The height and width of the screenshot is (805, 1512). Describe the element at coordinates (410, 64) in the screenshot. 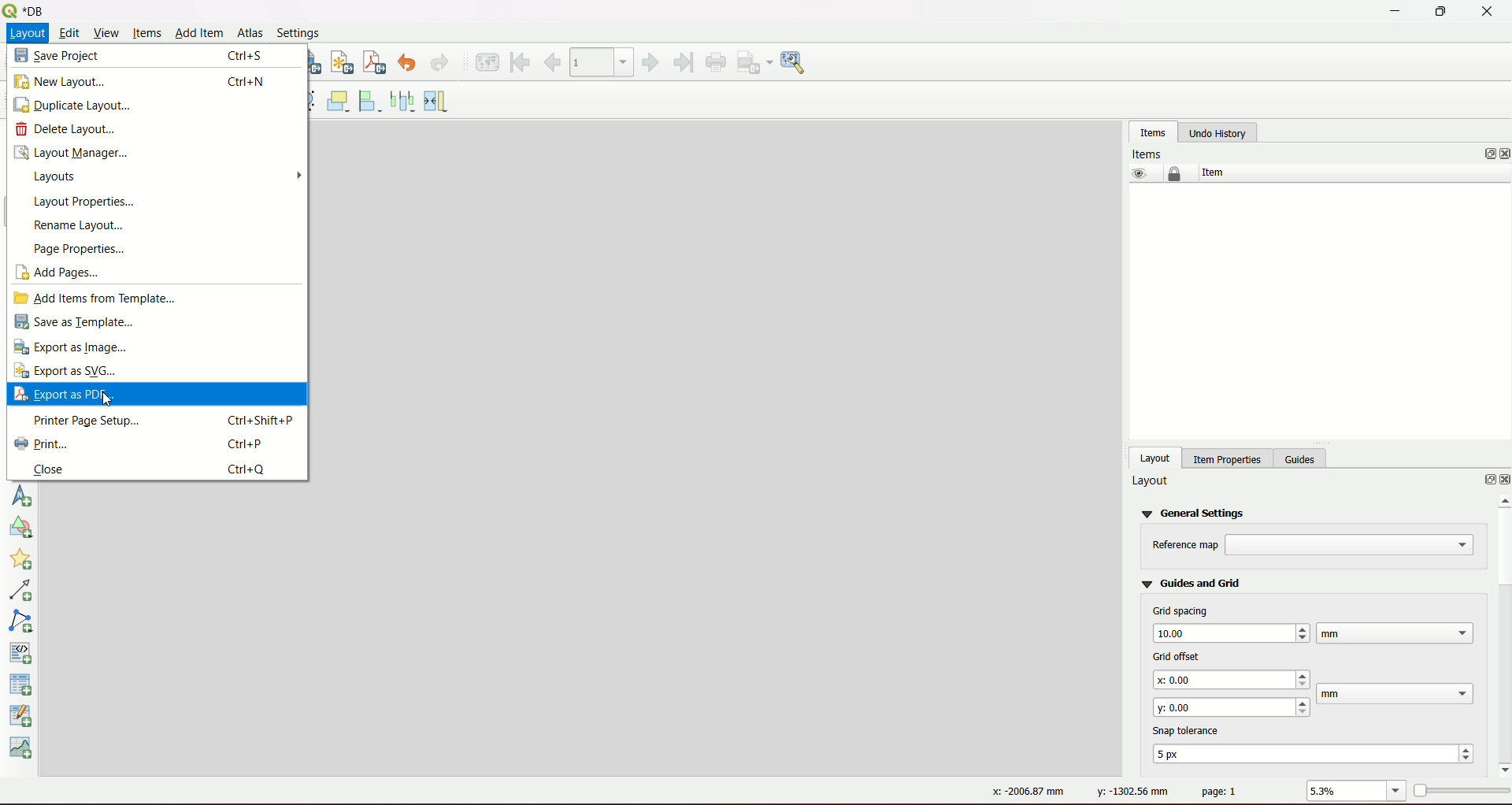

I see `undo` at that location.